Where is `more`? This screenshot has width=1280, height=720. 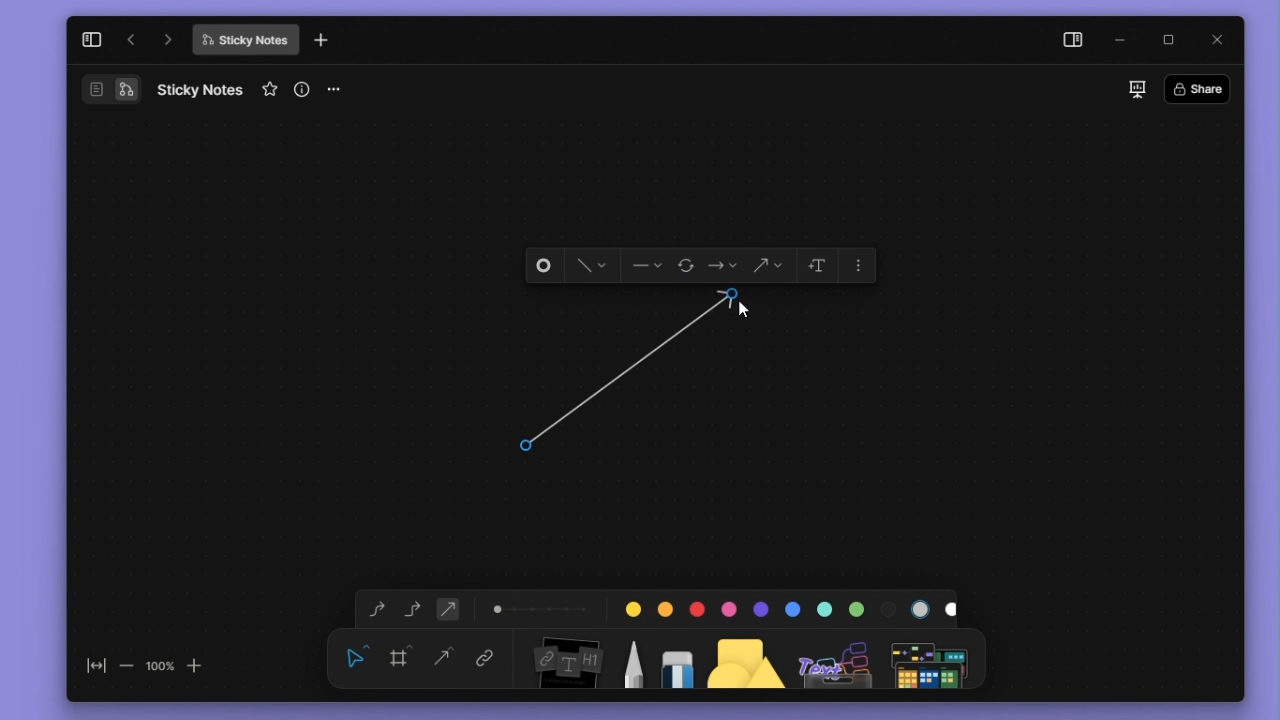
more is located at coordinates (860, 263).